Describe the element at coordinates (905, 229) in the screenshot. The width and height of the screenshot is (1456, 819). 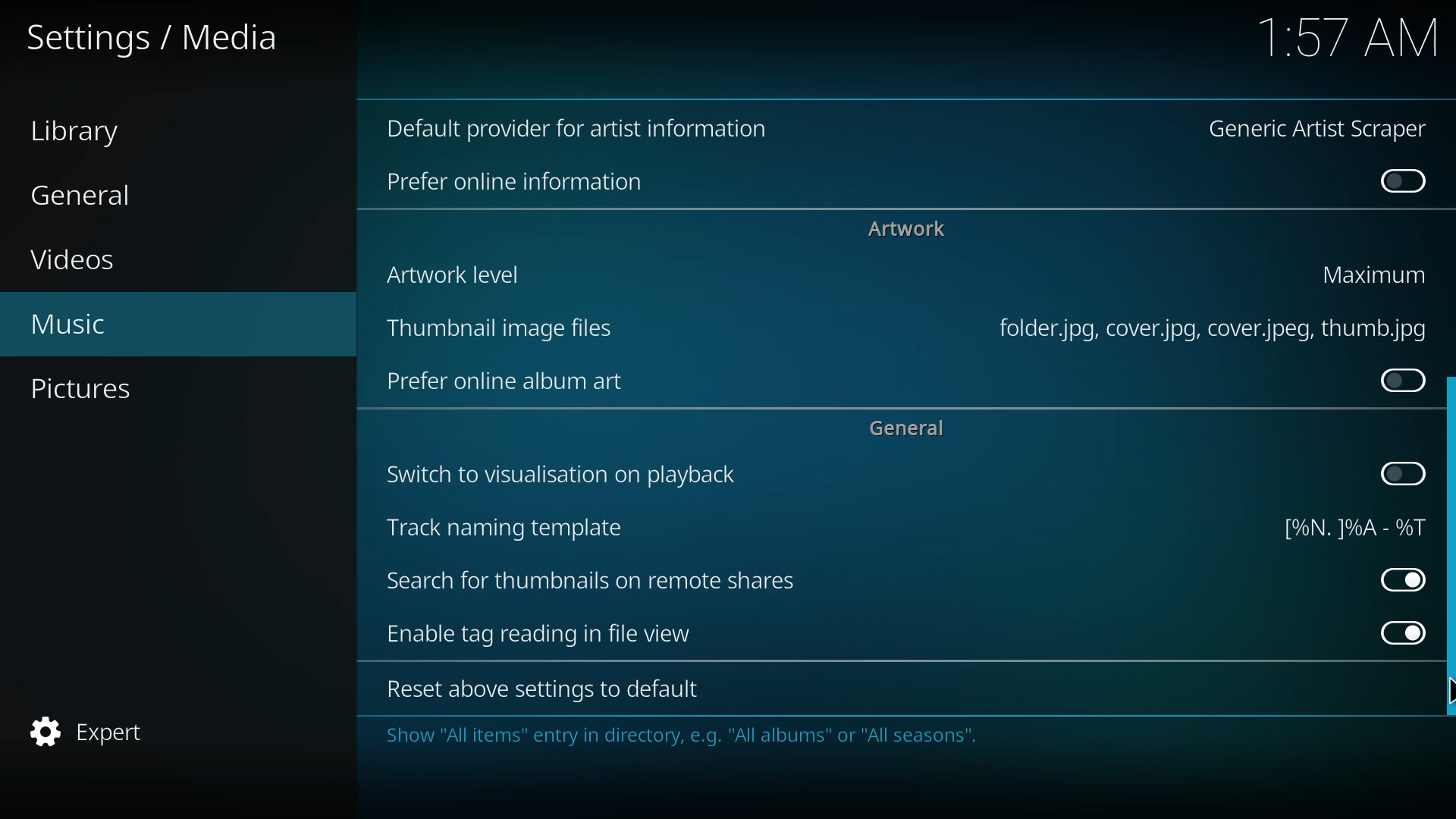
I see `artwork` at that location.